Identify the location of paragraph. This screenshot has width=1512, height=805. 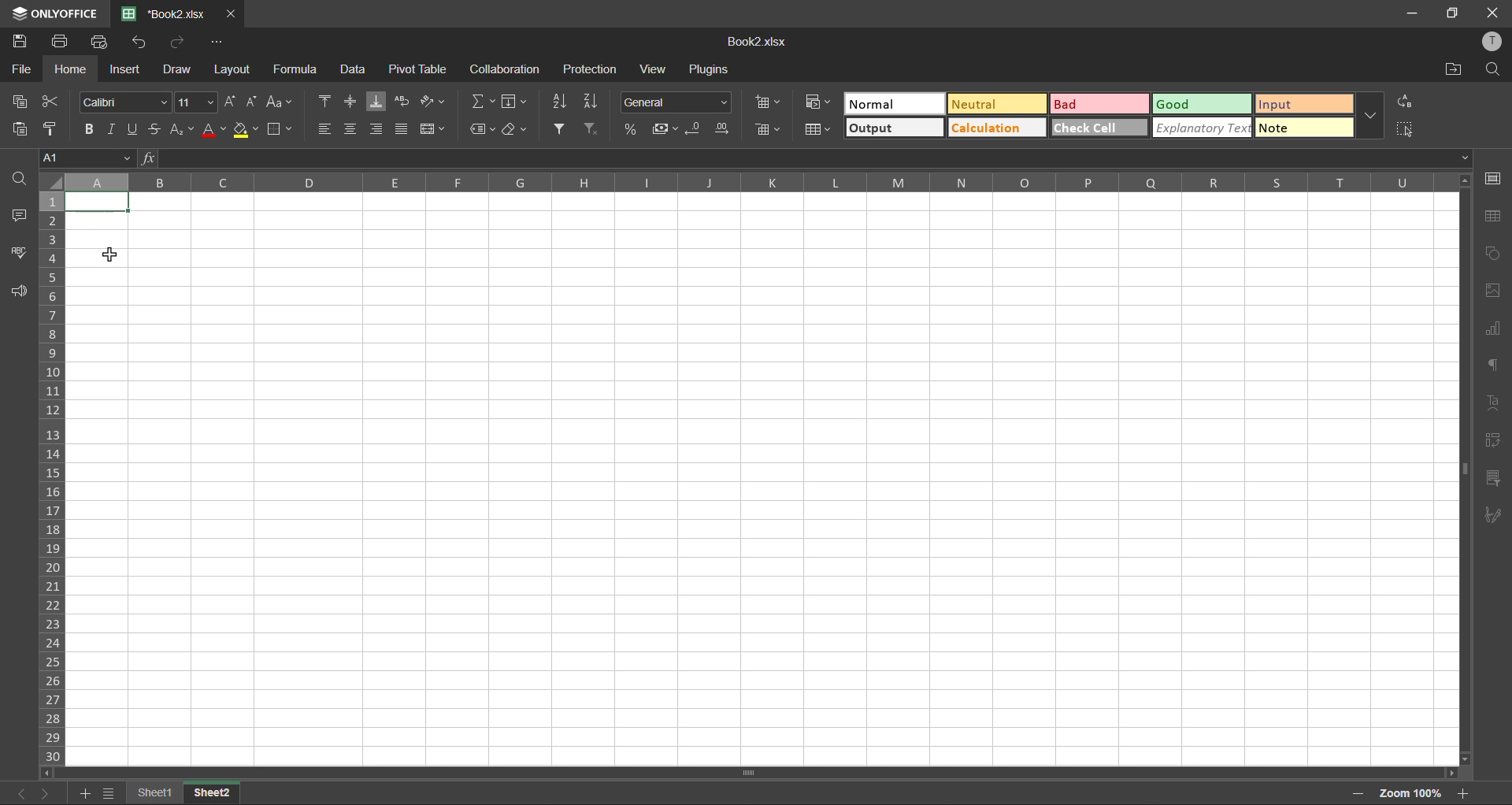
(1492, 364).